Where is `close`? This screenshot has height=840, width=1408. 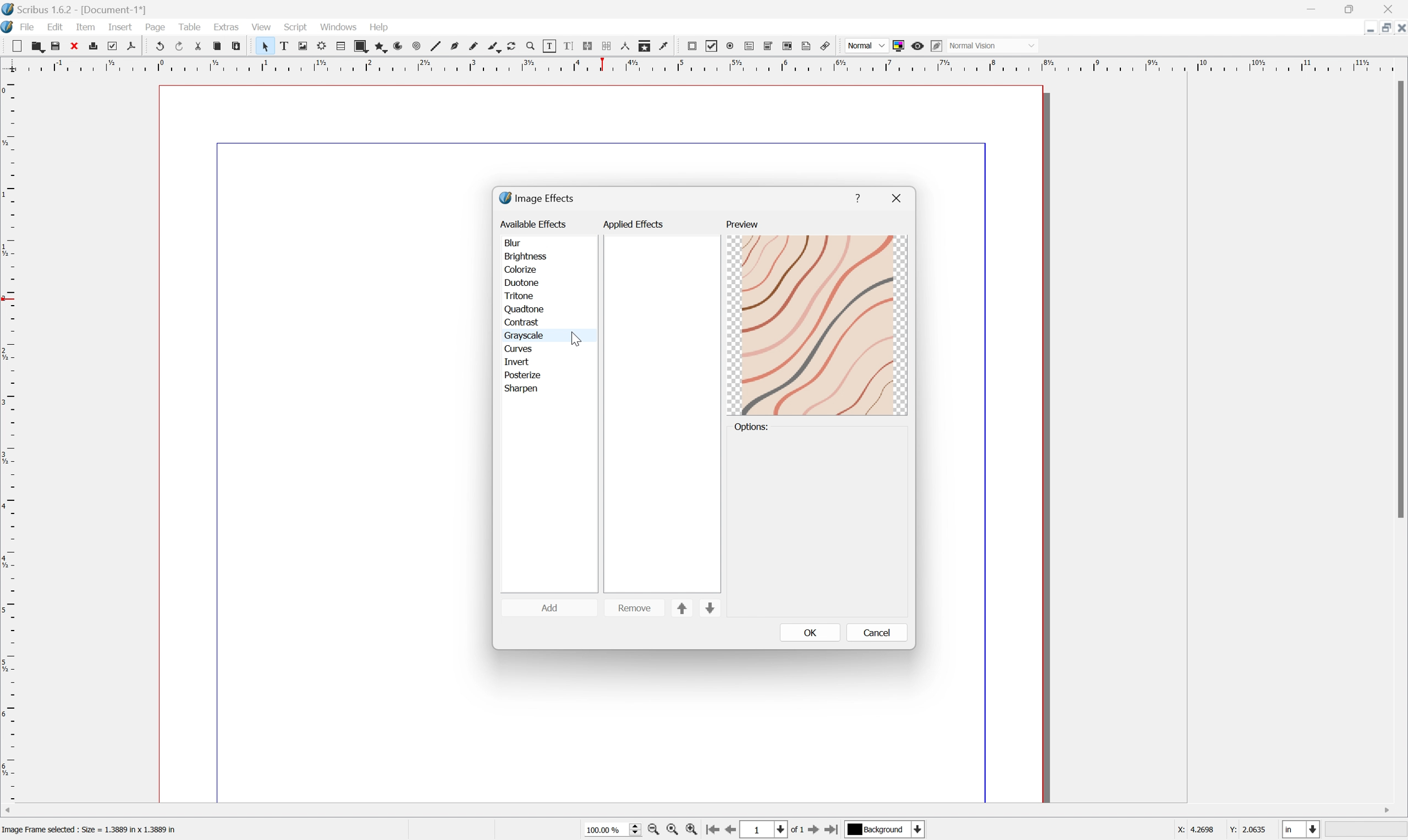 close is located at coordinates (898, 198).